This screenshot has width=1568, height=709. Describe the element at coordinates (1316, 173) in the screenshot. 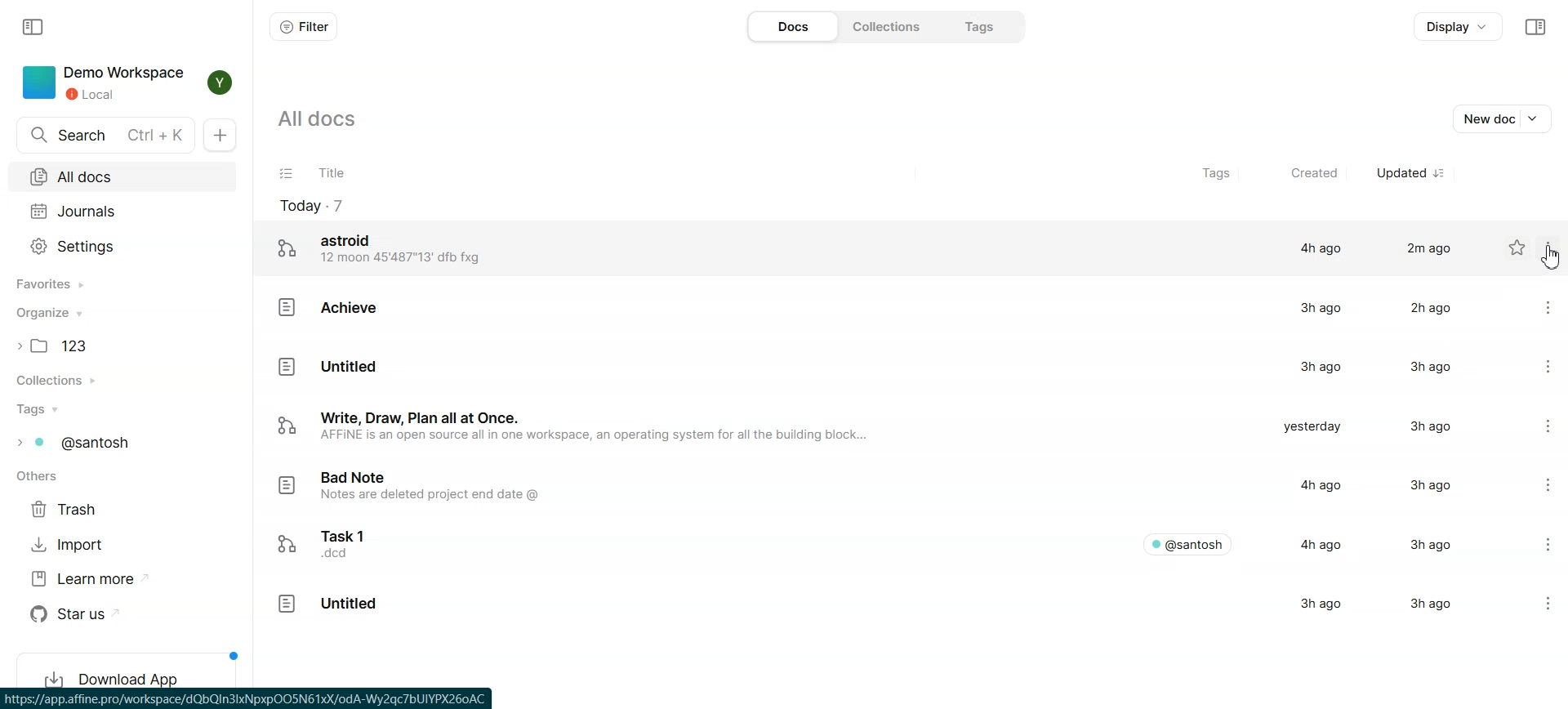

I see `Created` at that location.